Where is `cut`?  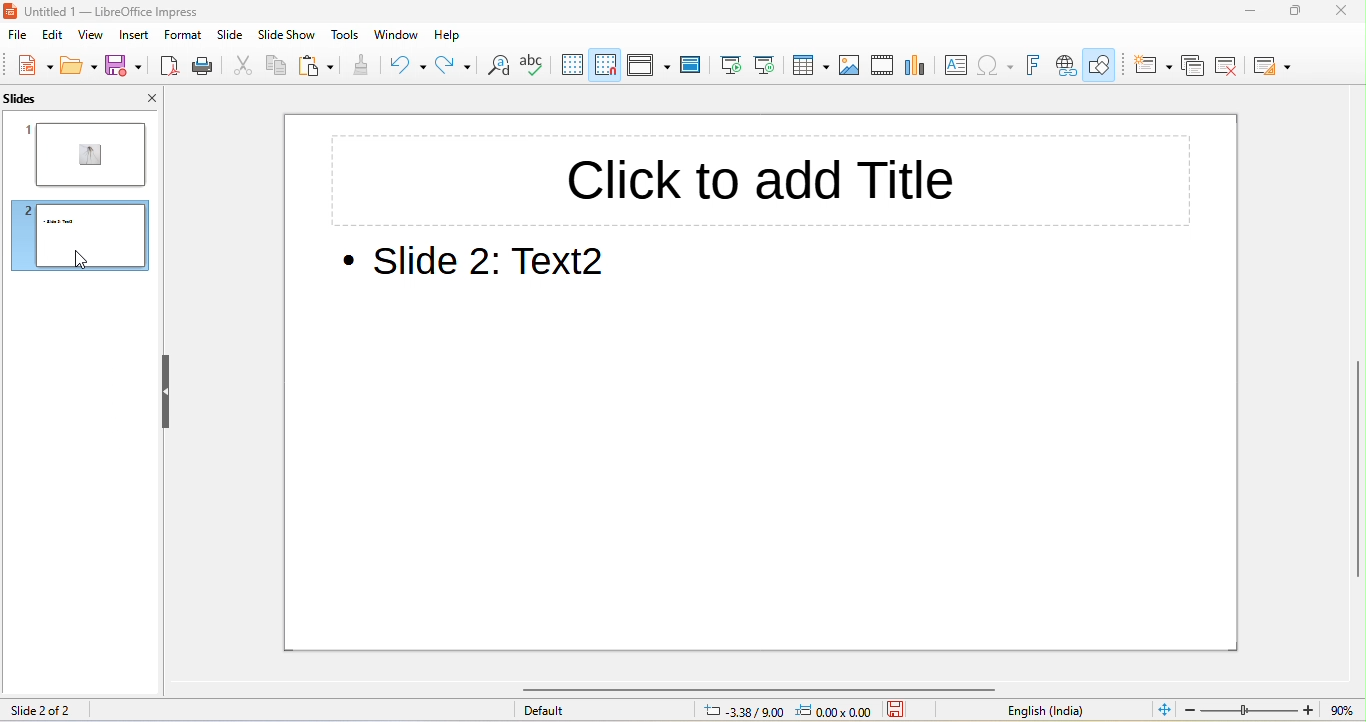
cut is located at coordinates (245, 67).